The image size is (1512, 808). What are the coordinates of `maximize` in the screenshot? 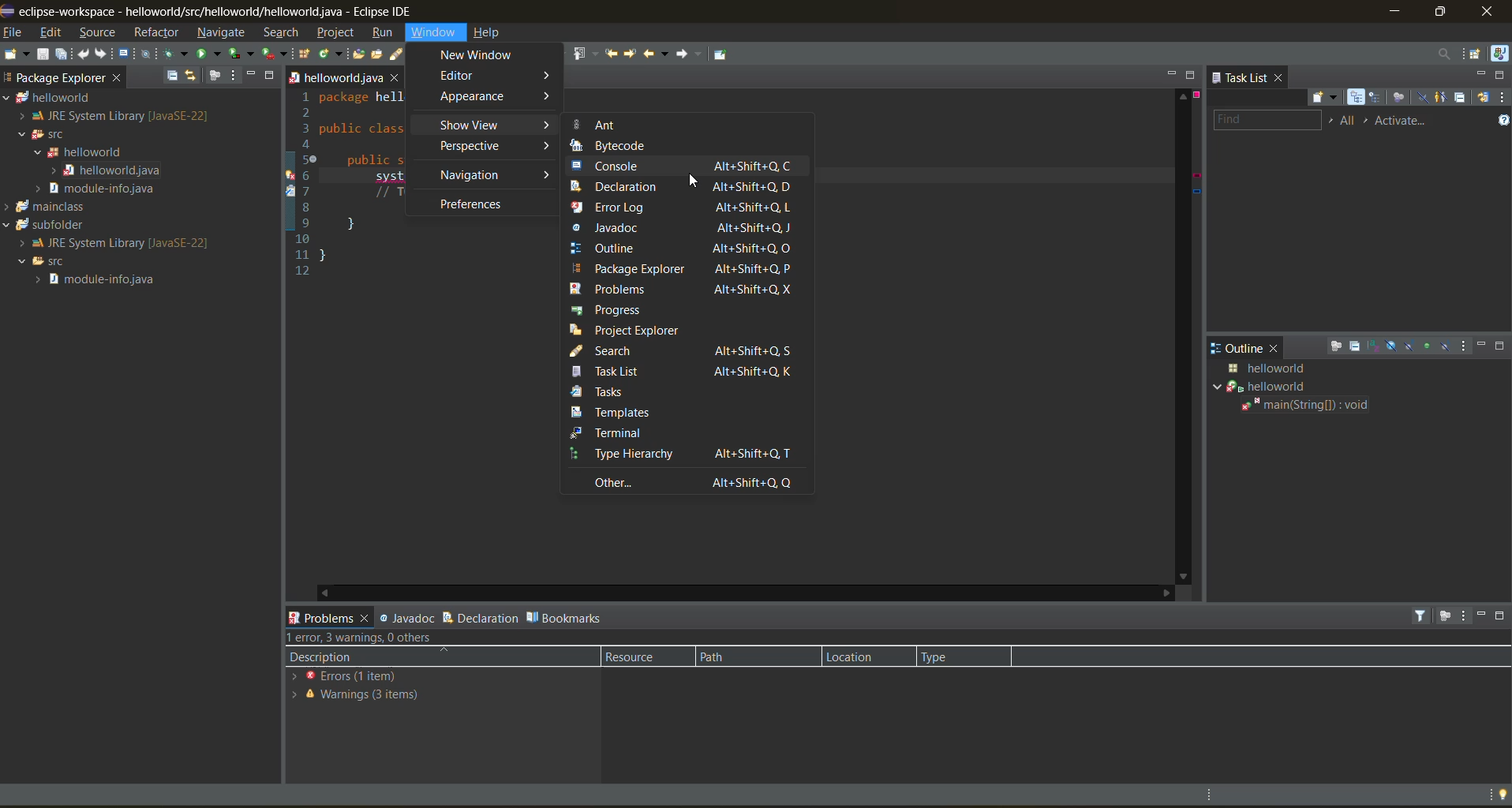 It's located at (1441, 13).